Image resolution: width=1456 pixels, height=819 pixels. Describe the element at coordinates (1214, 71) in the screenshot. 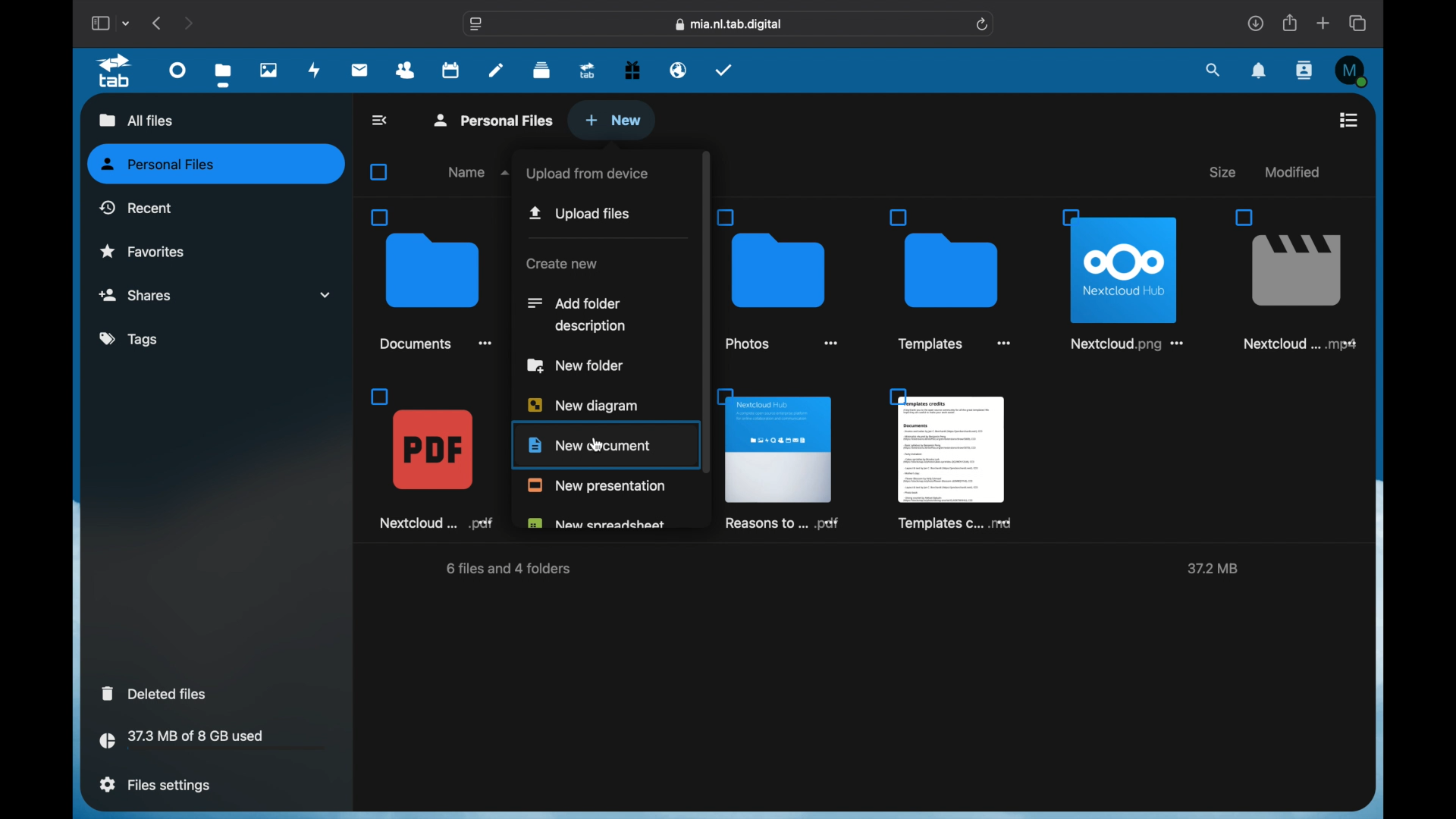

I see `search` at that location.